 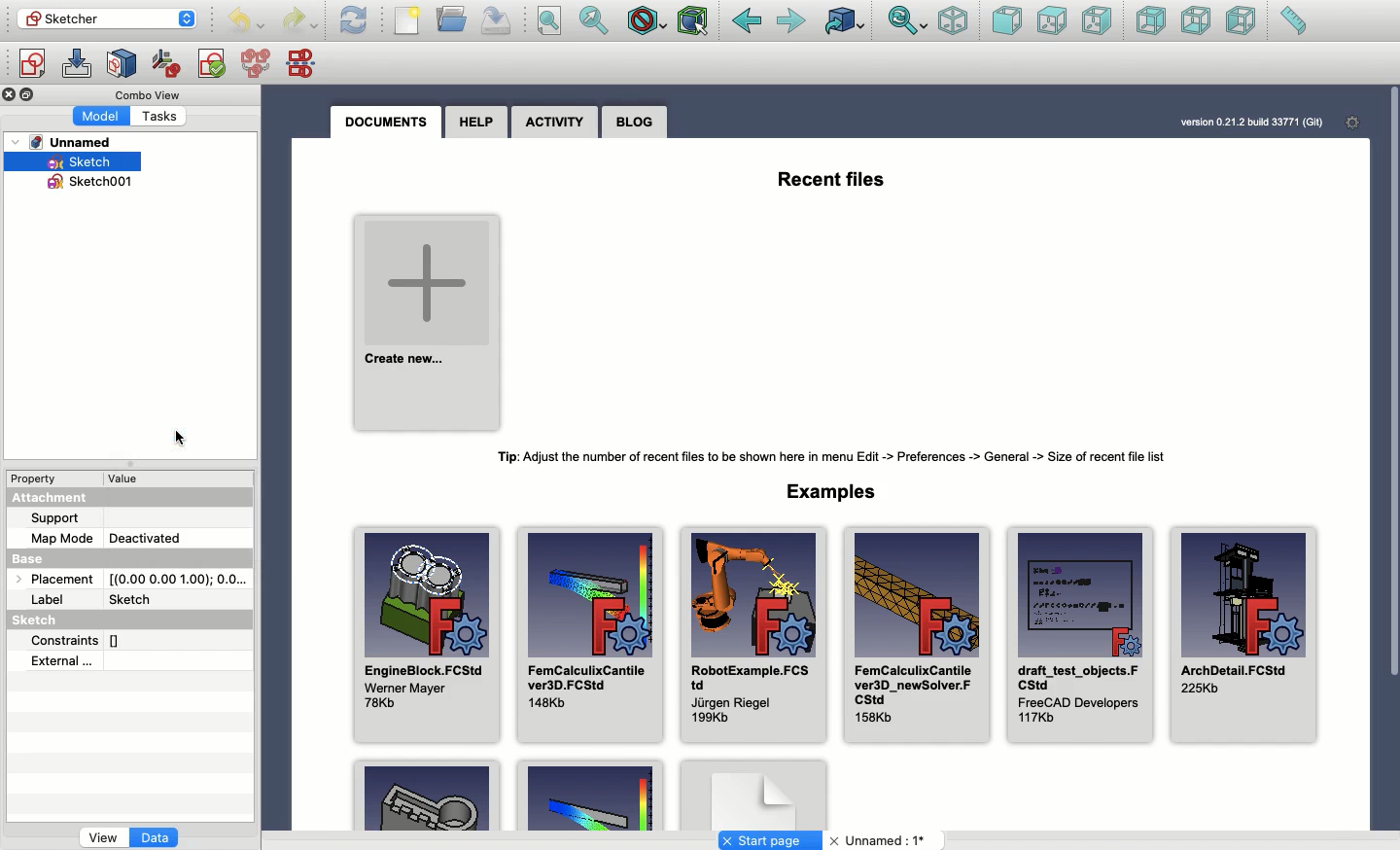 I want to click on Top, so click(x=1052, y=21).